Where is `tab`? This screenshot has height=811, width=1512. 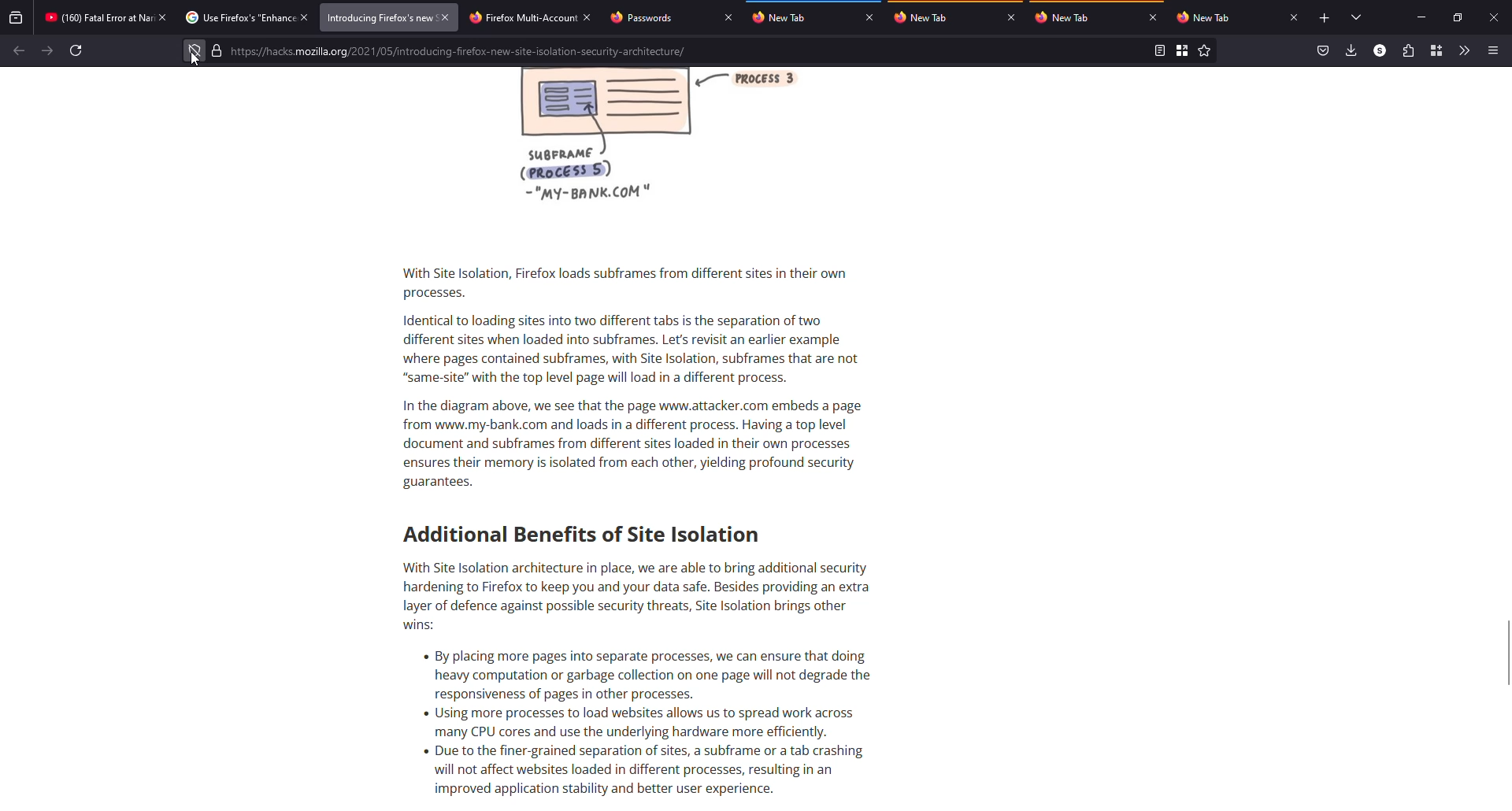 tab is located at coordinates (521, 18).